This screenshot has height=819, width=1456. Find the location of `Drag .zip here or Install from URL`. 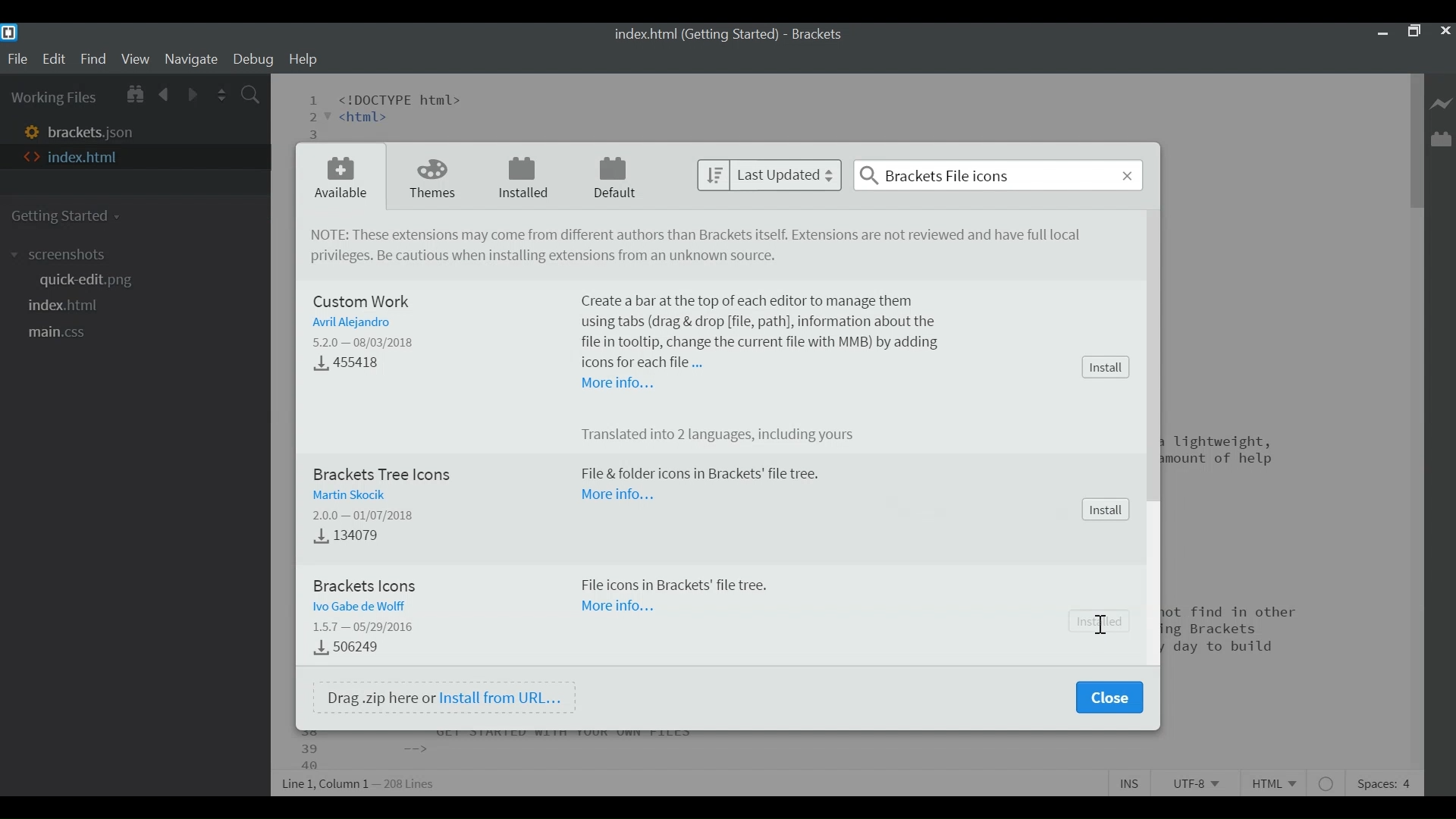

Drag .zip here or Install from URL is located at coordinates (444, 697).